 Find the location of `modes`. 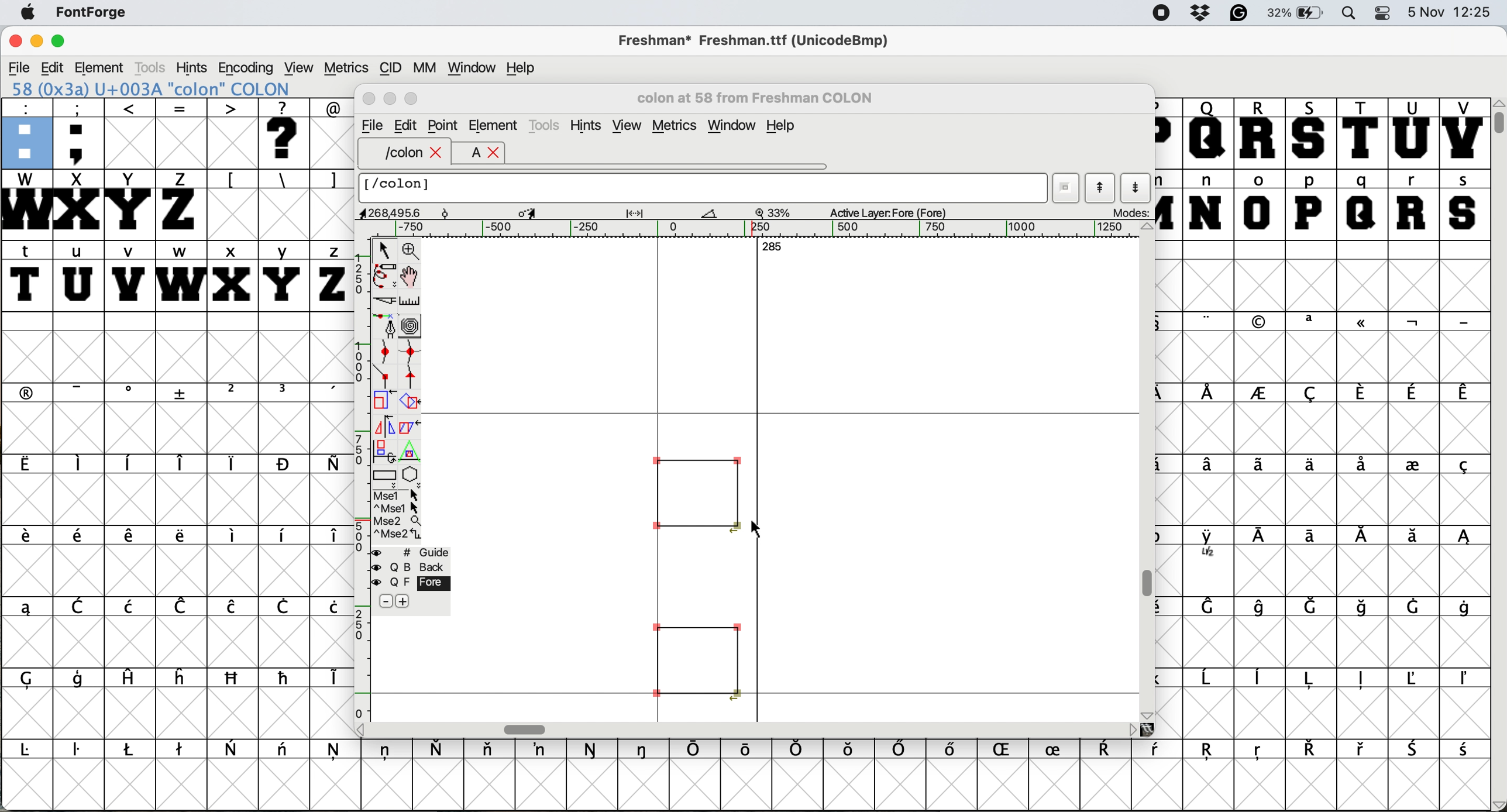

modes is located at coordinates (1125, 214).